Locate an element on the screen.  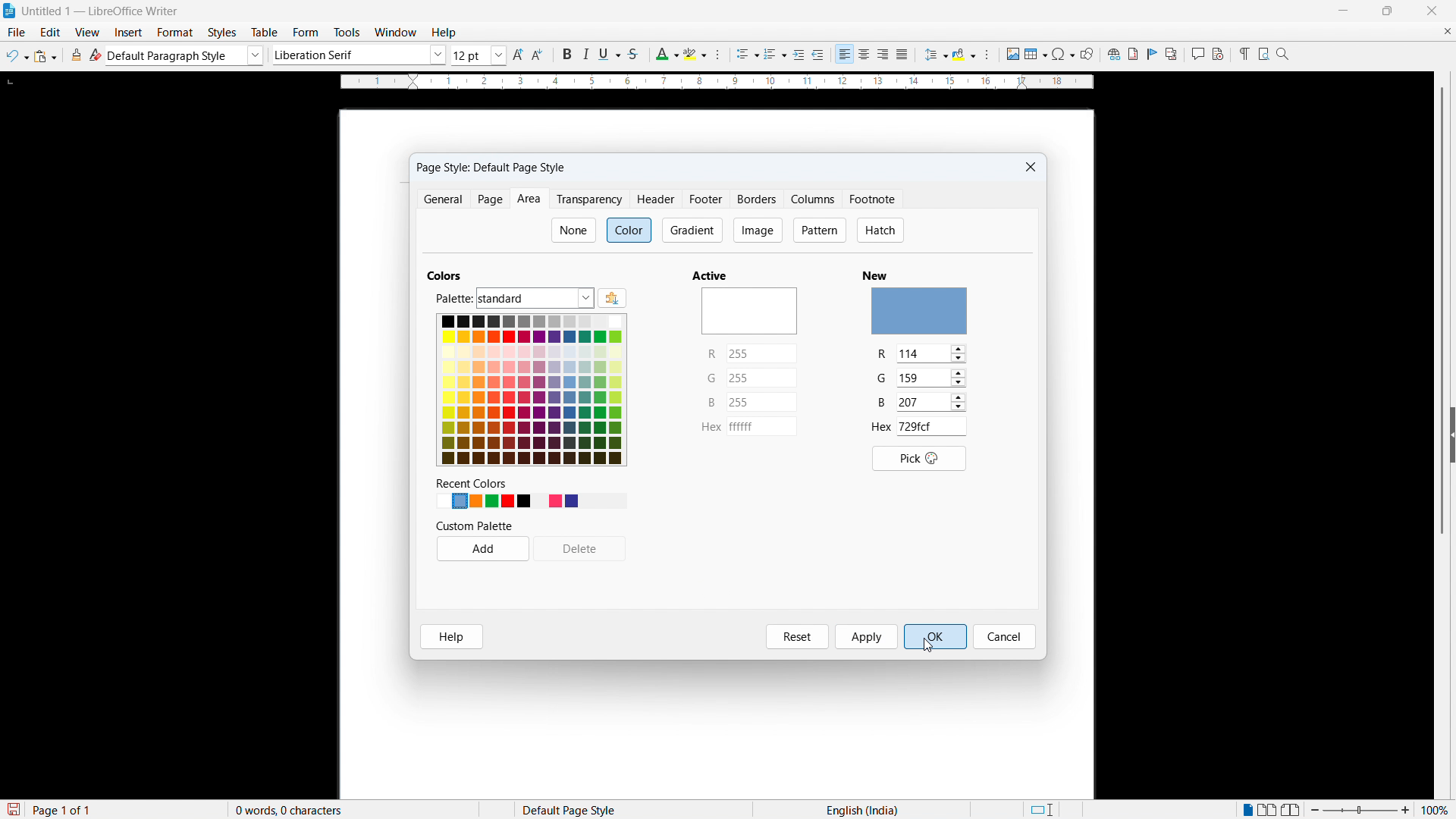
Set line spacing  is located at coordinates (935, 55).